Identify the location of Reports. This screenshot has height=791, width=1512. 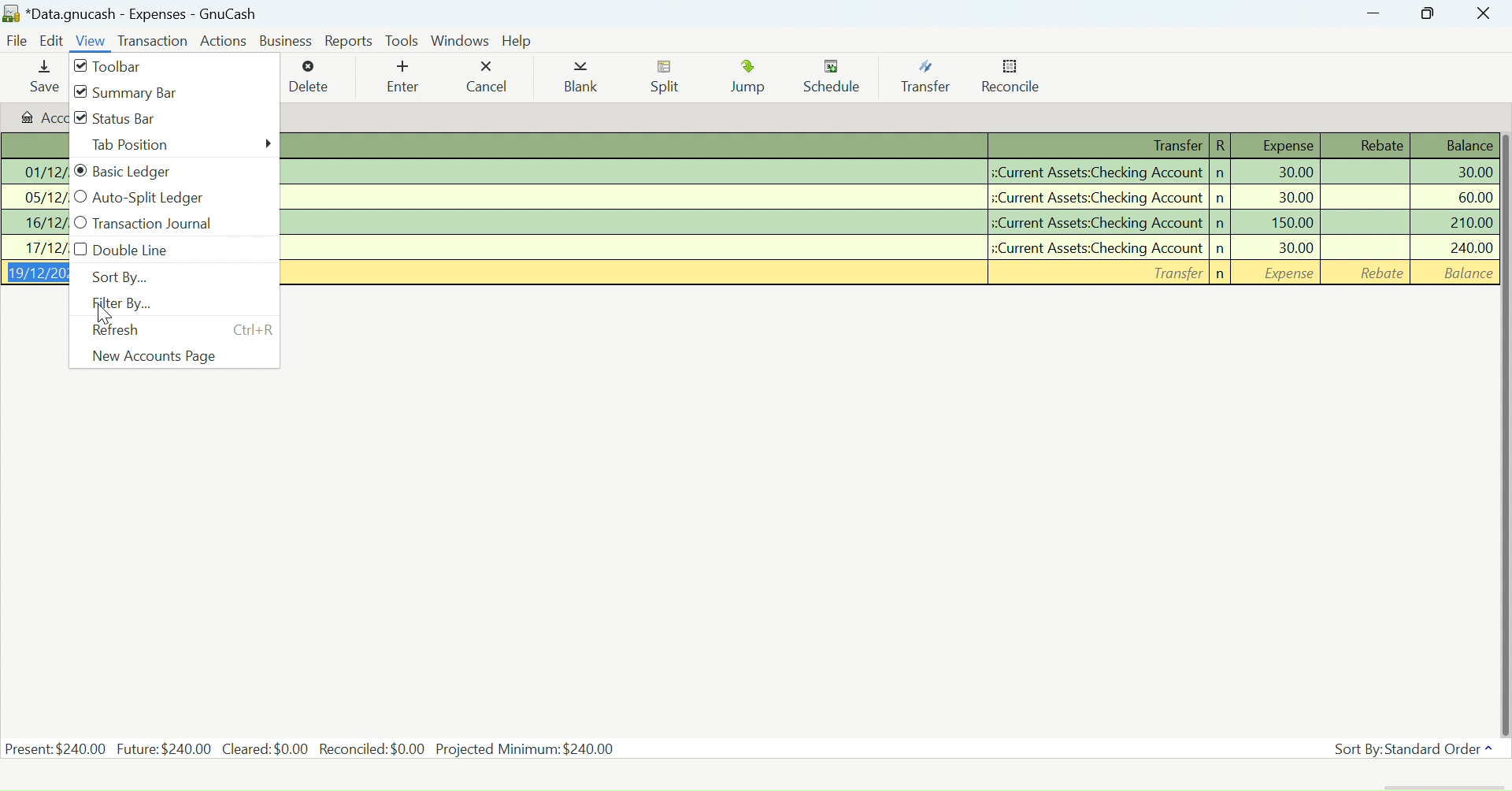
(350, 41).